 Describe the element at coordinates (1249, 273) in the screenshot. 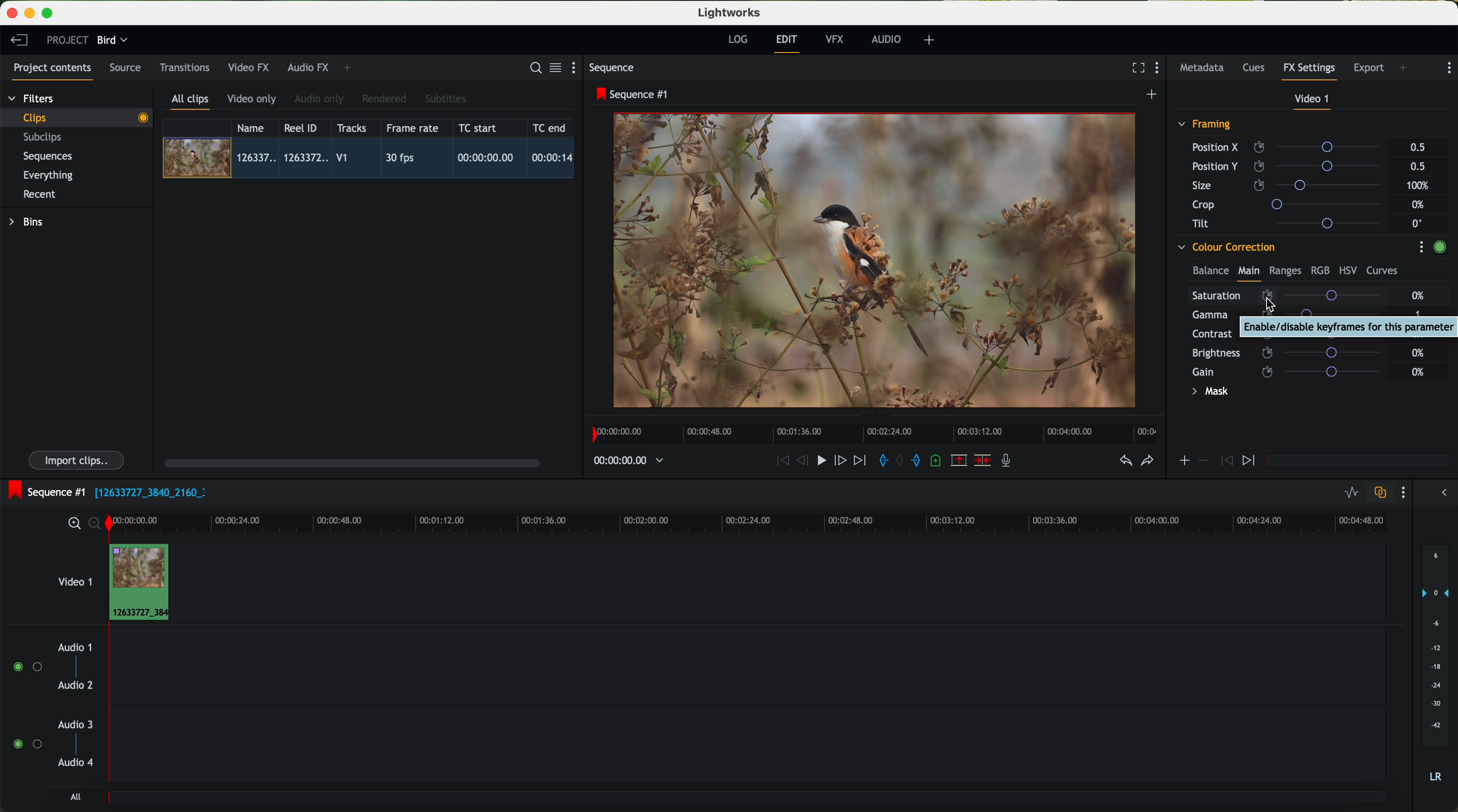

I see `main` at that location.